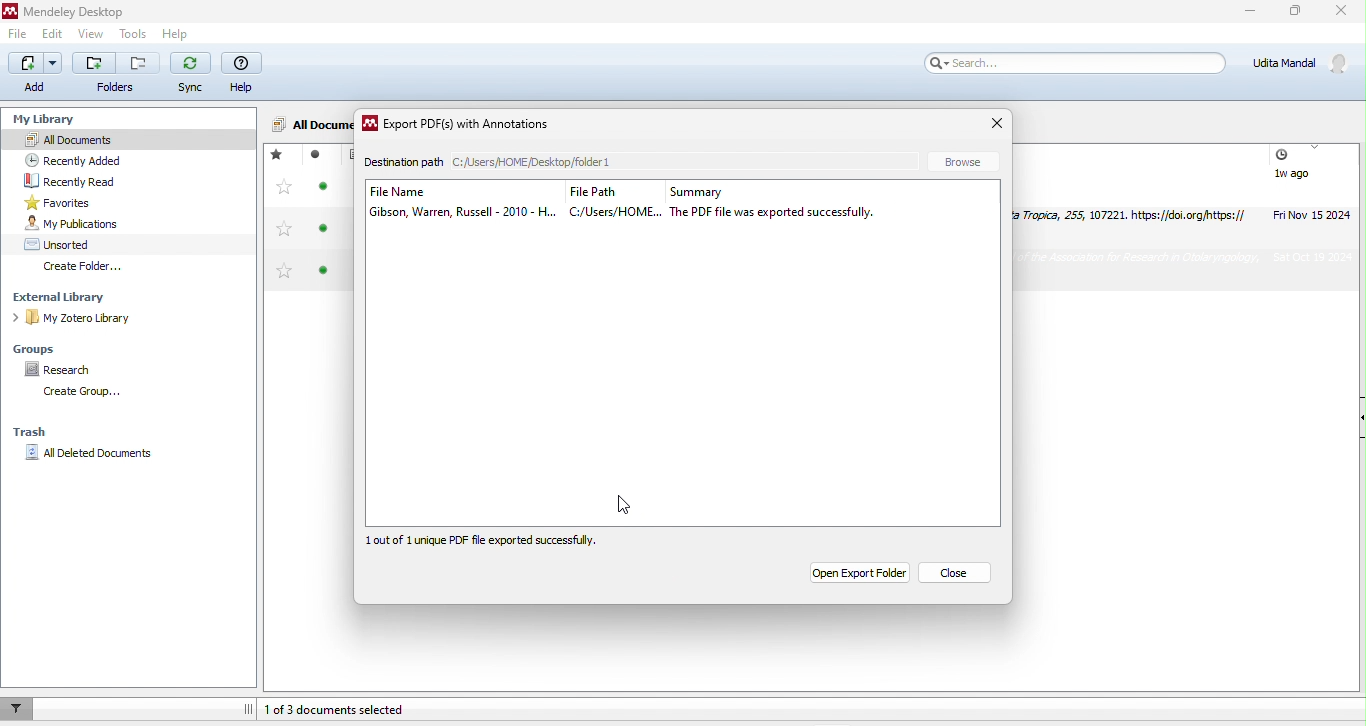 This screenshot has height=726, width=1366. Describe the element at coordinates (80, 201) in the screenshot. I see `favourites` at that location.